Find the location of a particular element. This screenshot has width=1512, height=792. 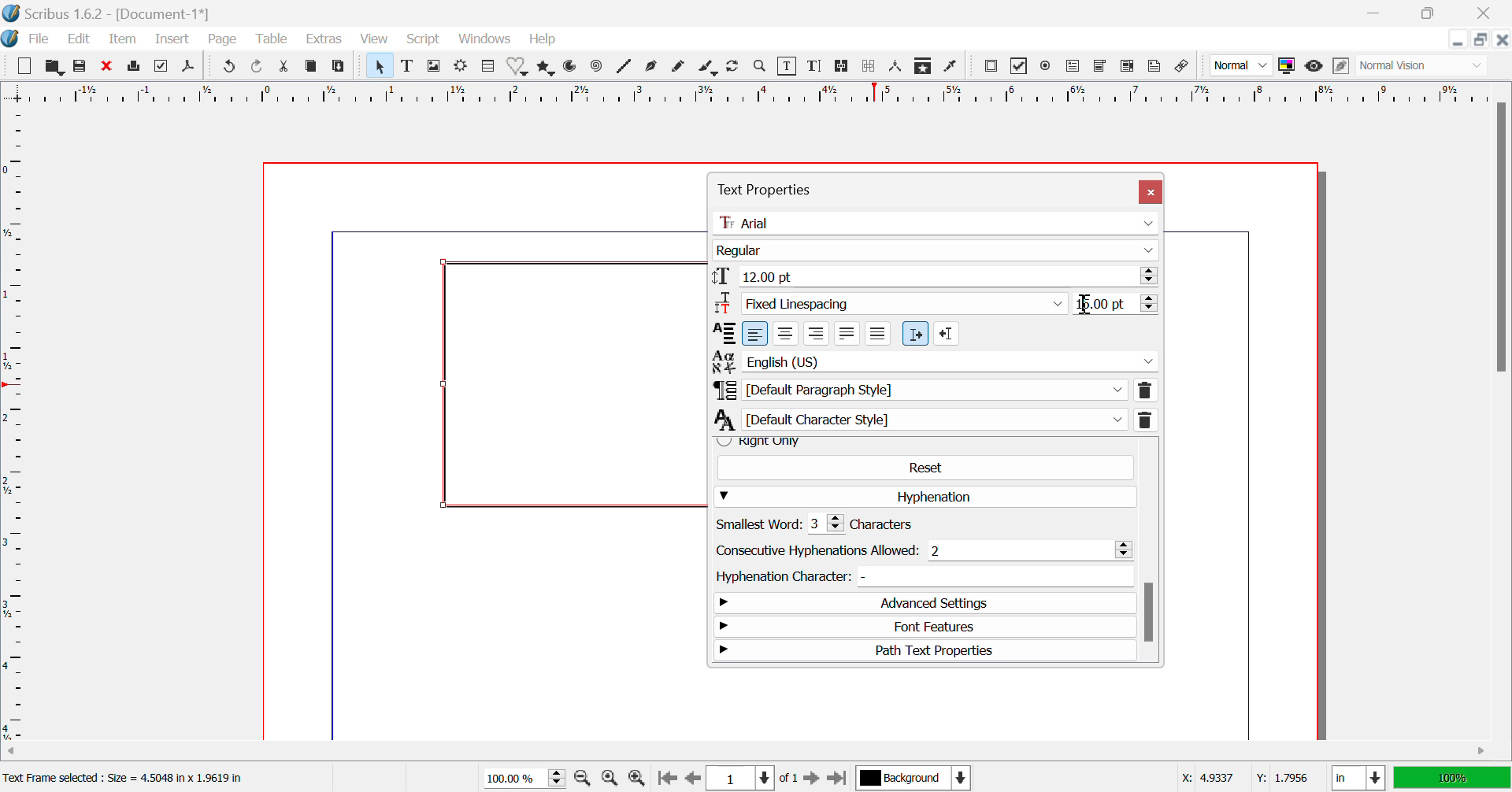

25.00 pt is located at coordinates (1117, 305).